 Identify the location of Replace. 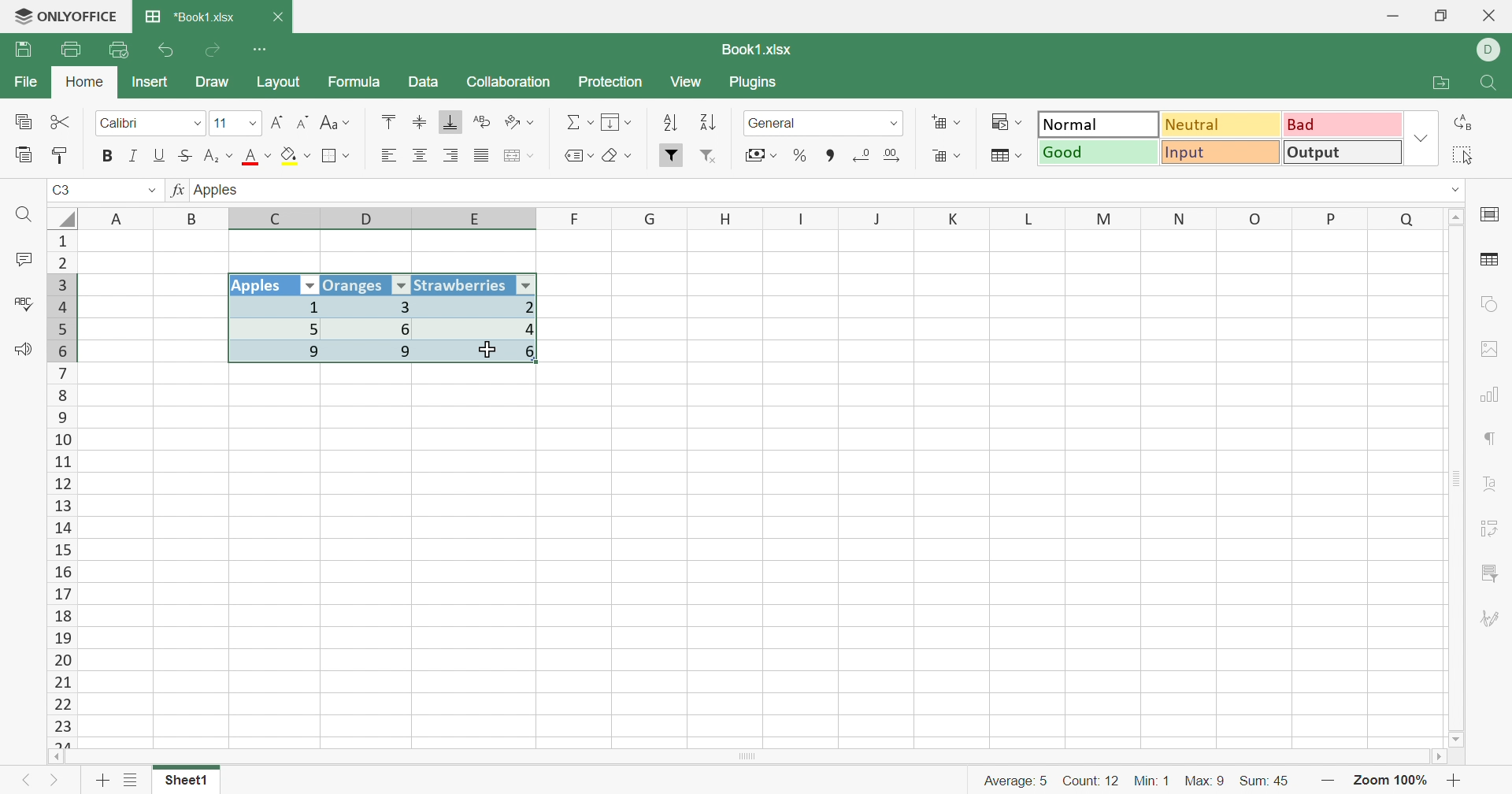
(1467, 122).